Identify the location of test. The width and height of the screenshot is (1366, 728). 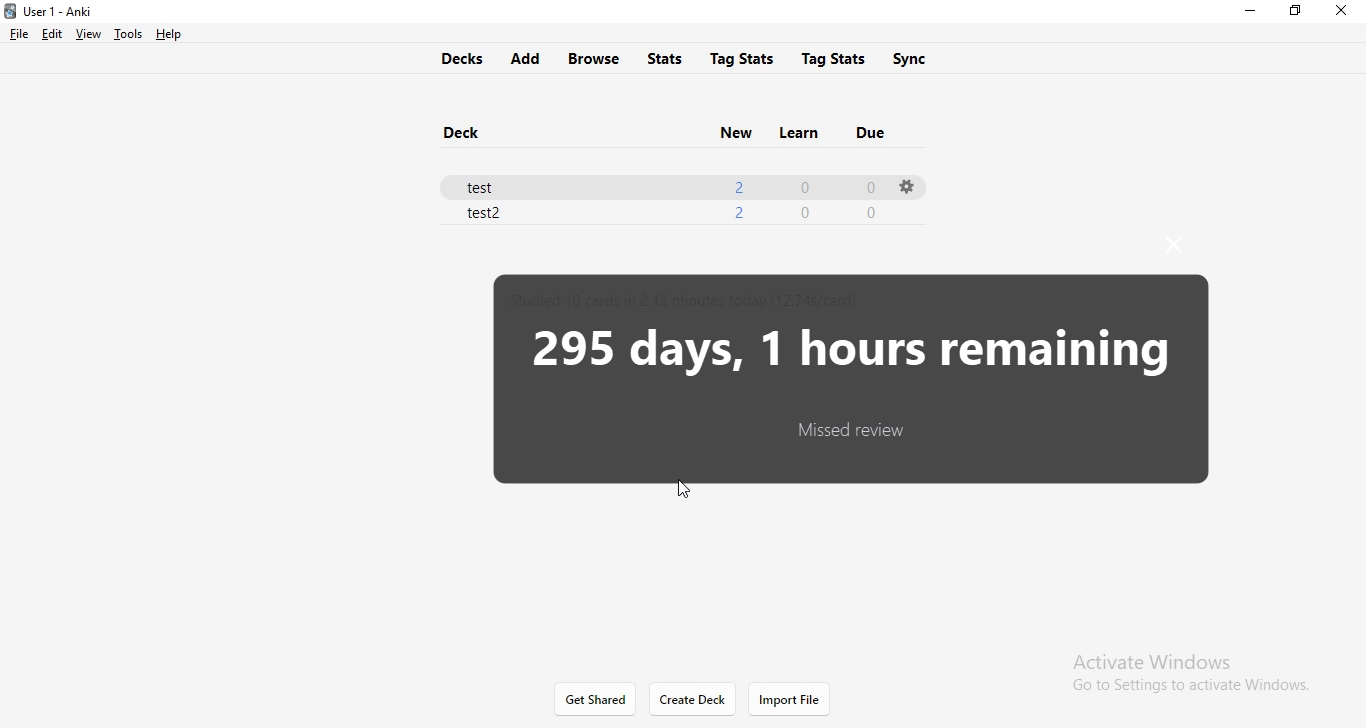
(489, 184).